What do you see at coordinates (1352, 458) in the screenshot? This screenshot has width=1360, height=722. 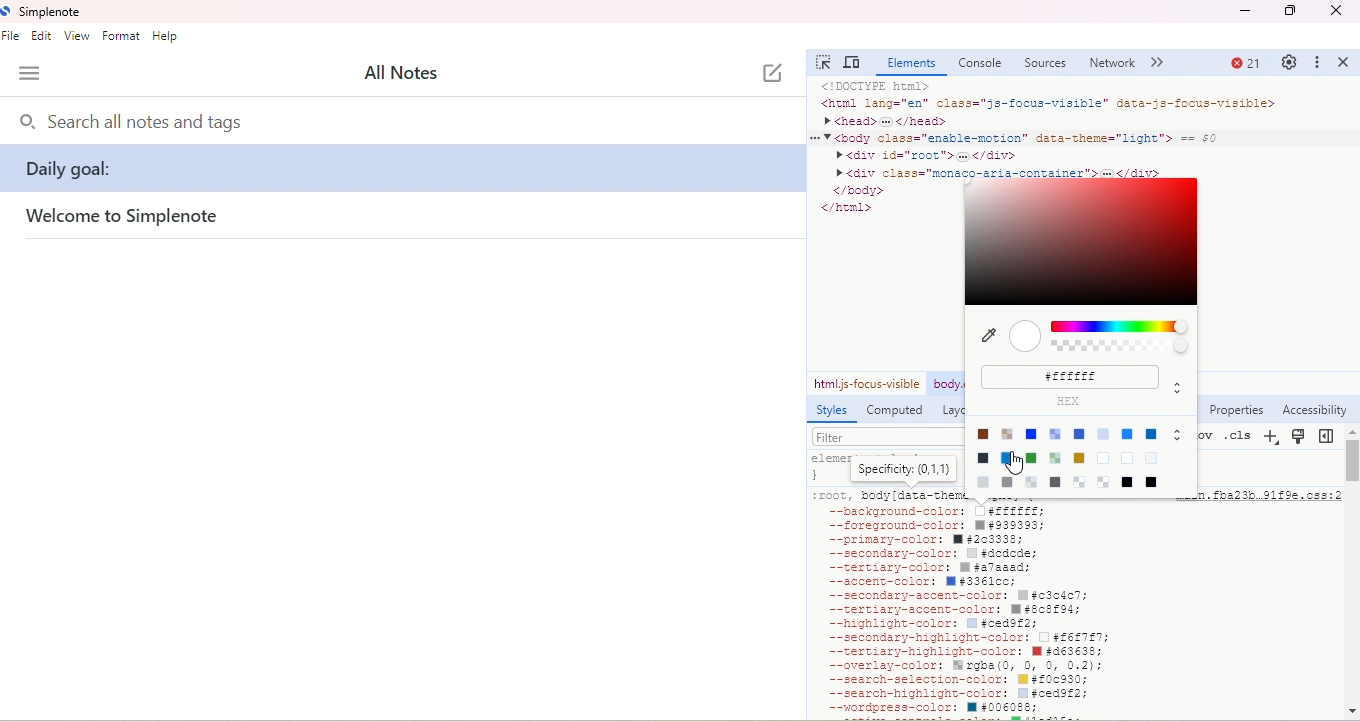 I see `vertical scroll bar` at bounding box center [1352, 458].